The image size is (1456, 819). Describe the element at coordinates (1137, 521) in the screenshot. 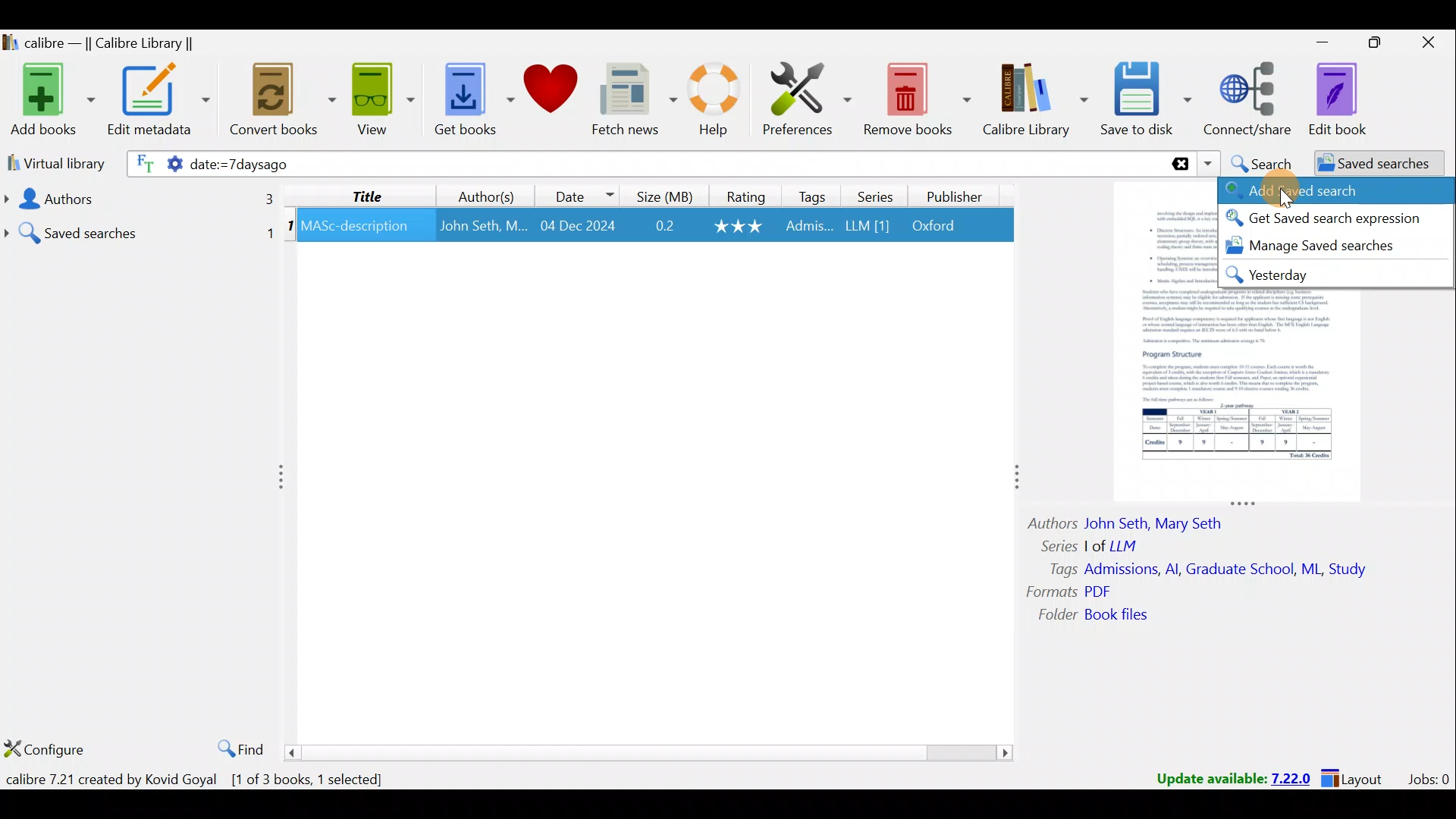

I see `Authors John Seth, Mary Seth` at that location.